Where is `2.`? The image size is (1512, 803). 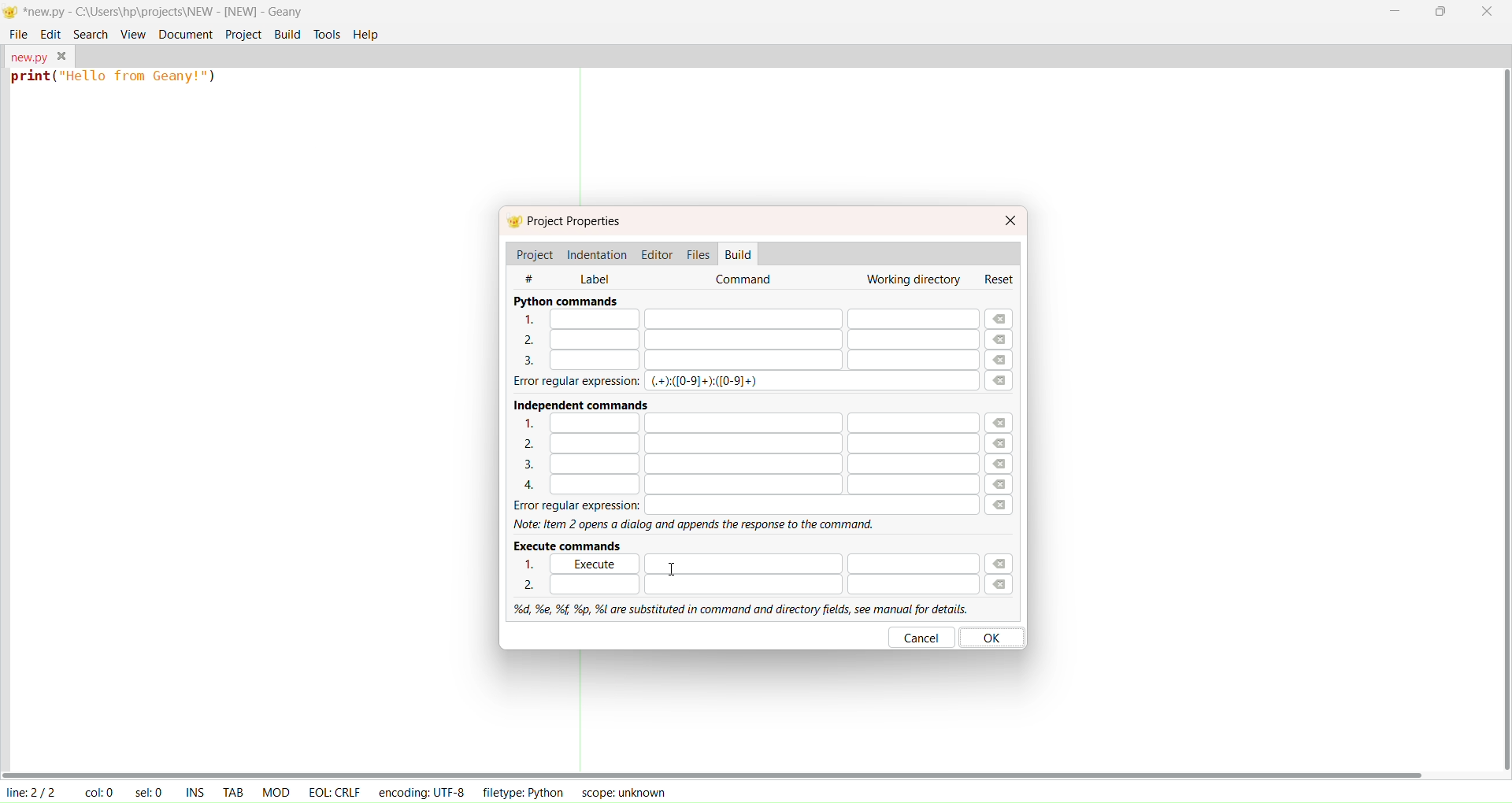
2. is located at coordinates (738, 443).